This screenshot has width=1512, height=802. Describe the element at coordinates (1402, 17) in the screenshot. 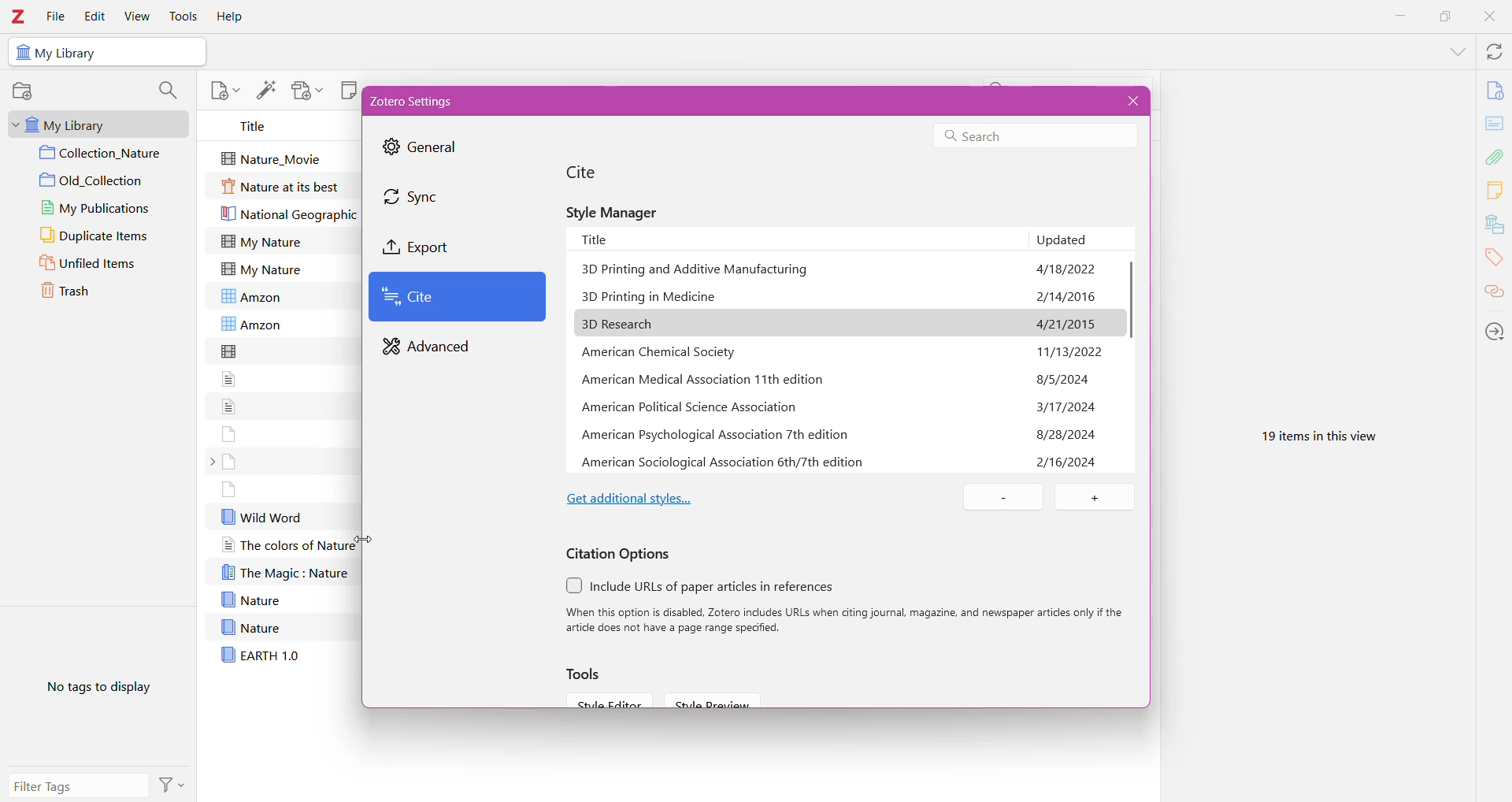

I see `Minimize` at that location.